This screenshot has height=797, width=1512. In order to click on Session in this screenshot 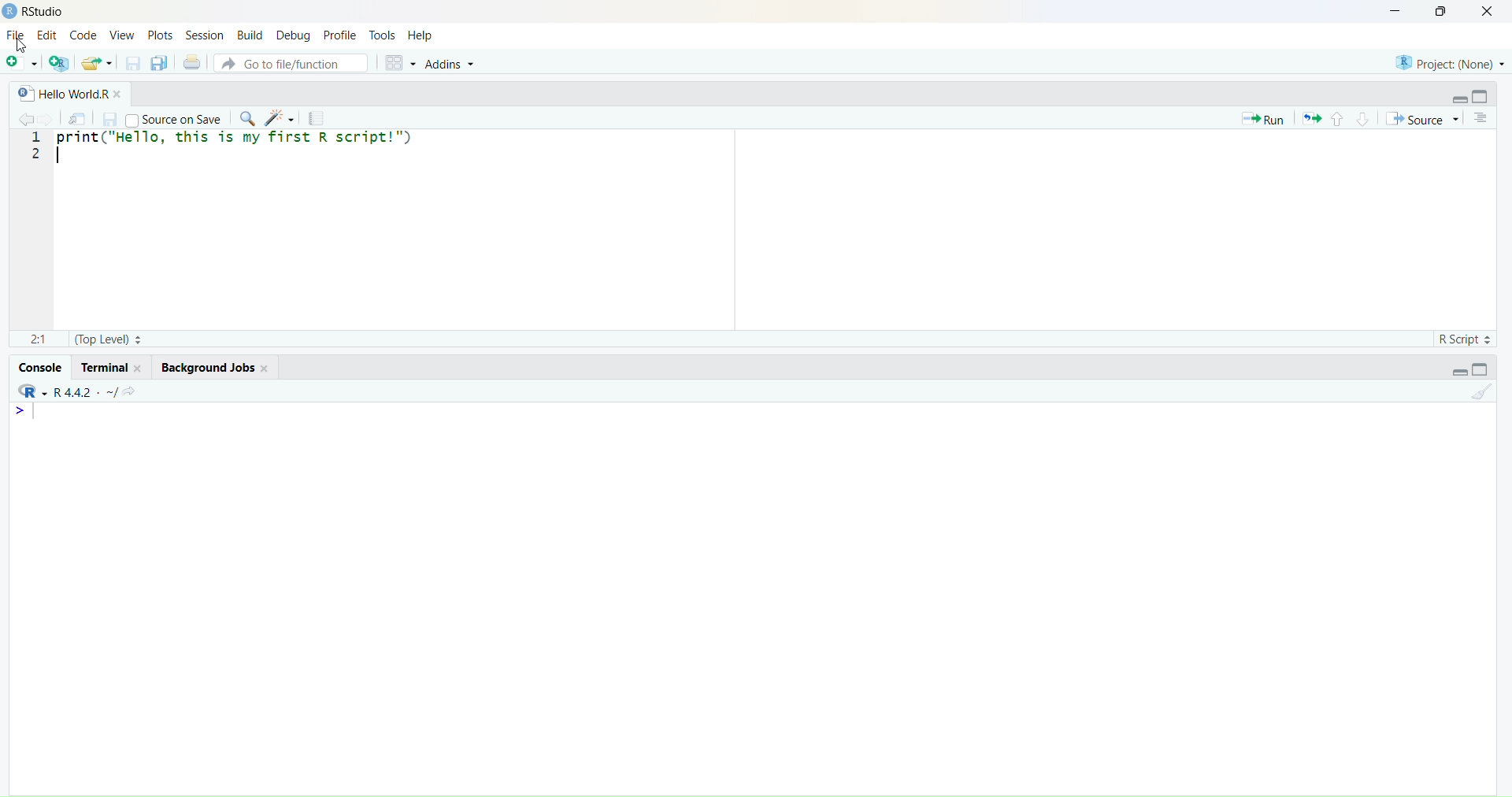, I will do `click(204, 34)`.